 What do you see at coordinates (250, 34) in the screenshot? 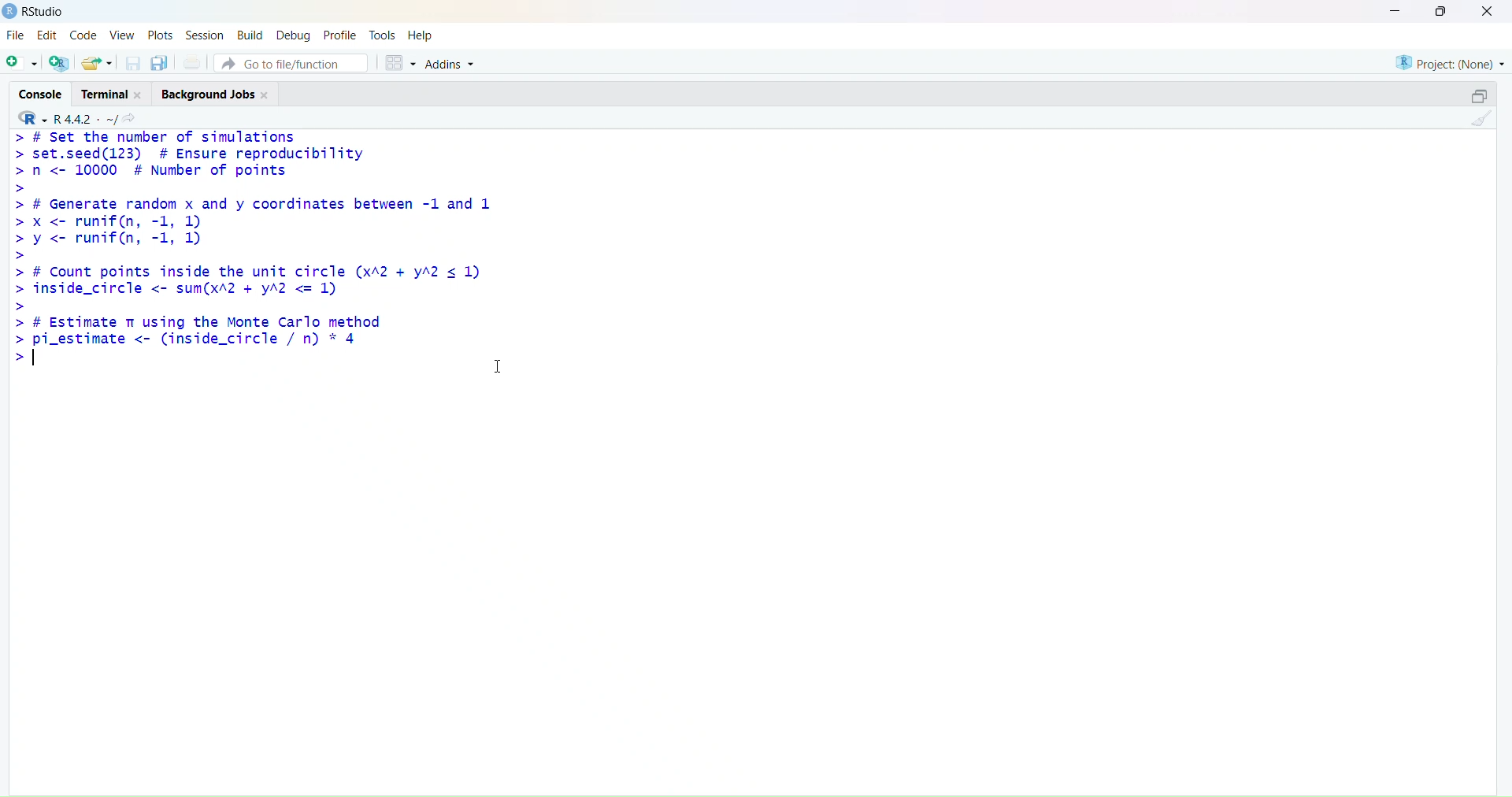
I see `Build` at bounding box center [250, 34].